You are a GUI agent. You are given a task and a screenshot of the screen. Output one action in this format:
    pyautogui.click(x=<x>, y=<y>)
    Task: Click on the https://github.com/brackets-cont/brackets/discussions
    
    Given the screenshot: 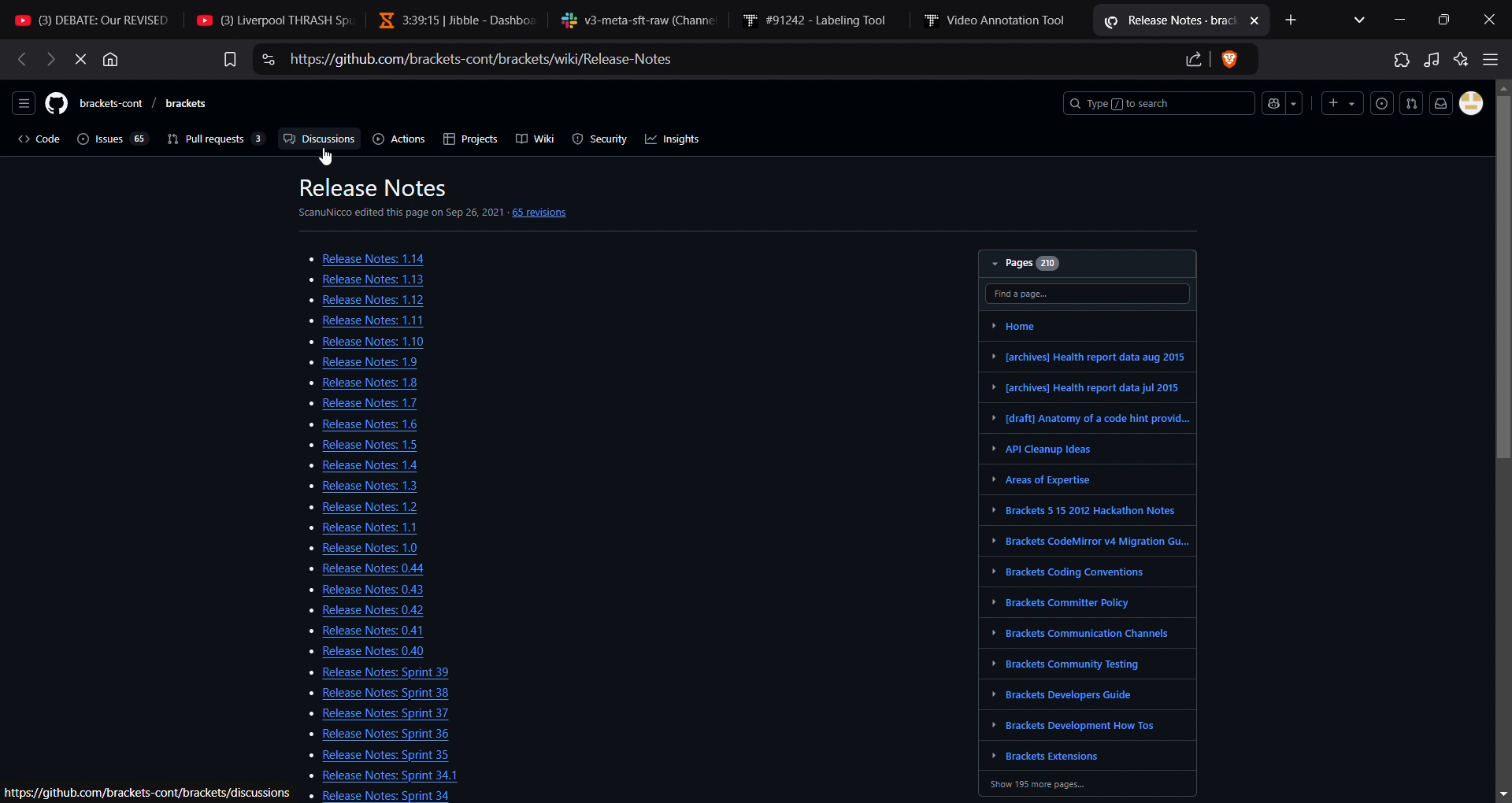 What is the action you would take?
    pyautogui.click(x=145, y=792)
    